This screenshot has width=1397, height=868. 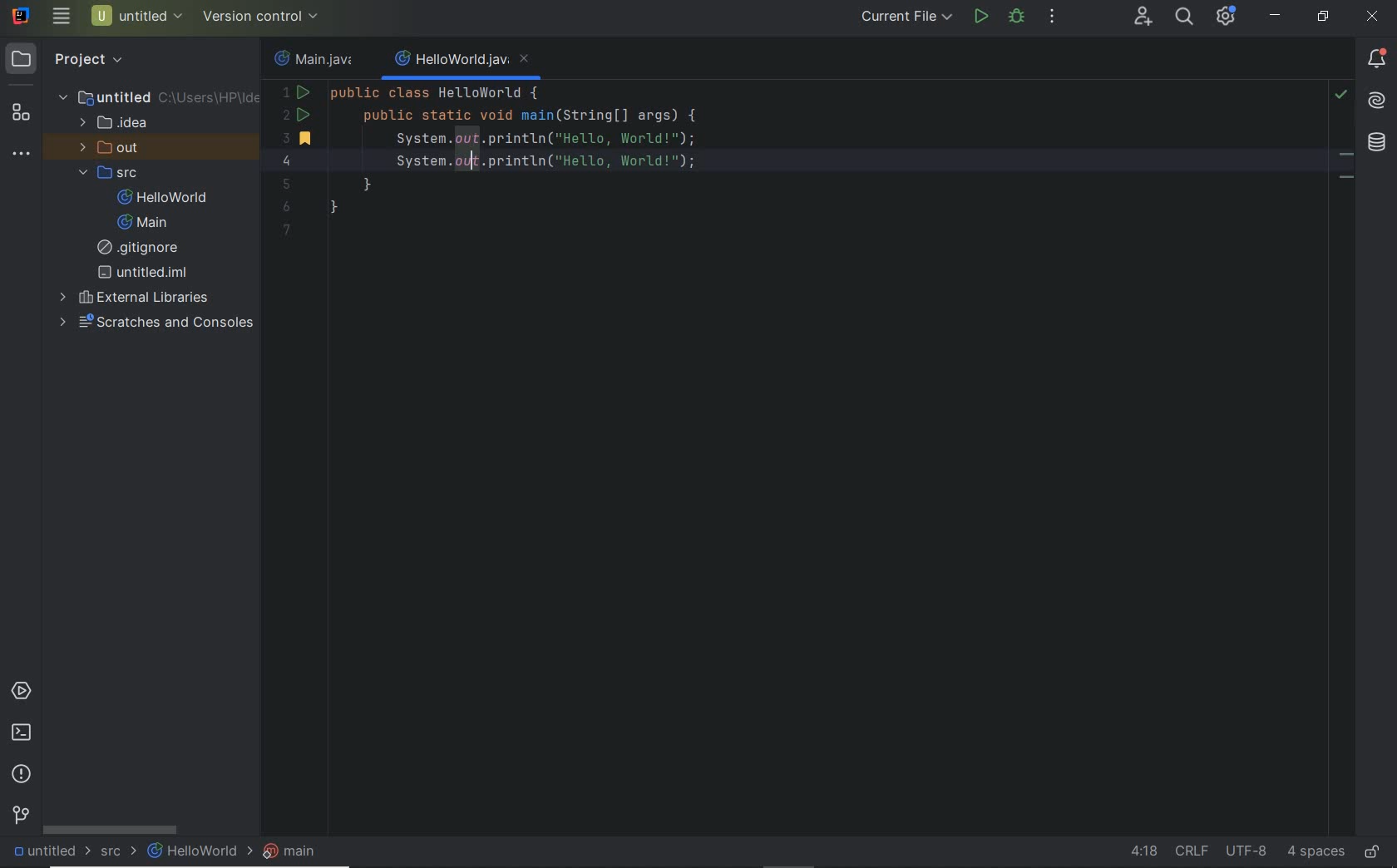 I want to click on untitled, so click(x=137, y=16).